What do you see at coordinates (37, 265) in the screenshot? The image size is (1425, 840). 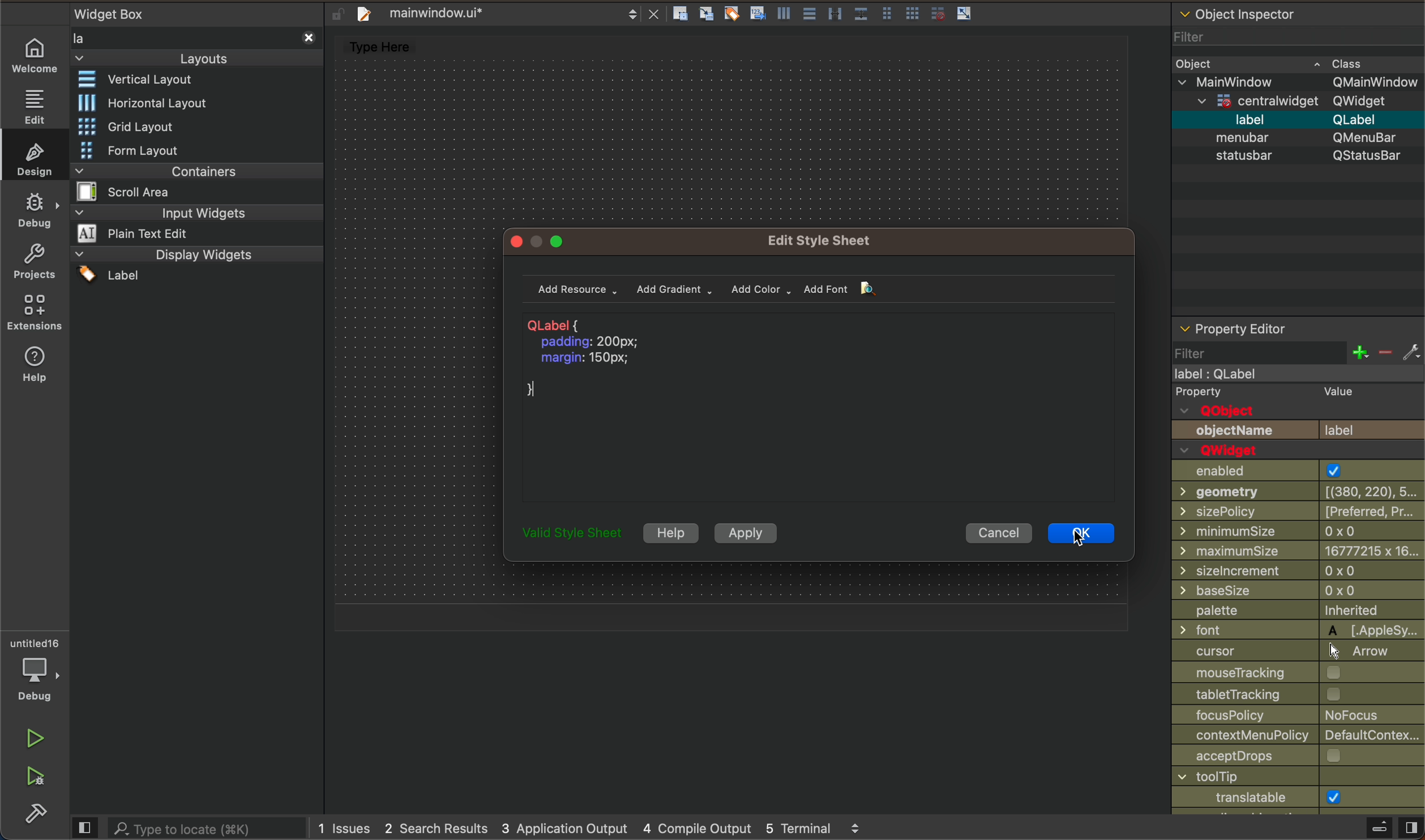 I see `projects` at bounding box center [37, 265].